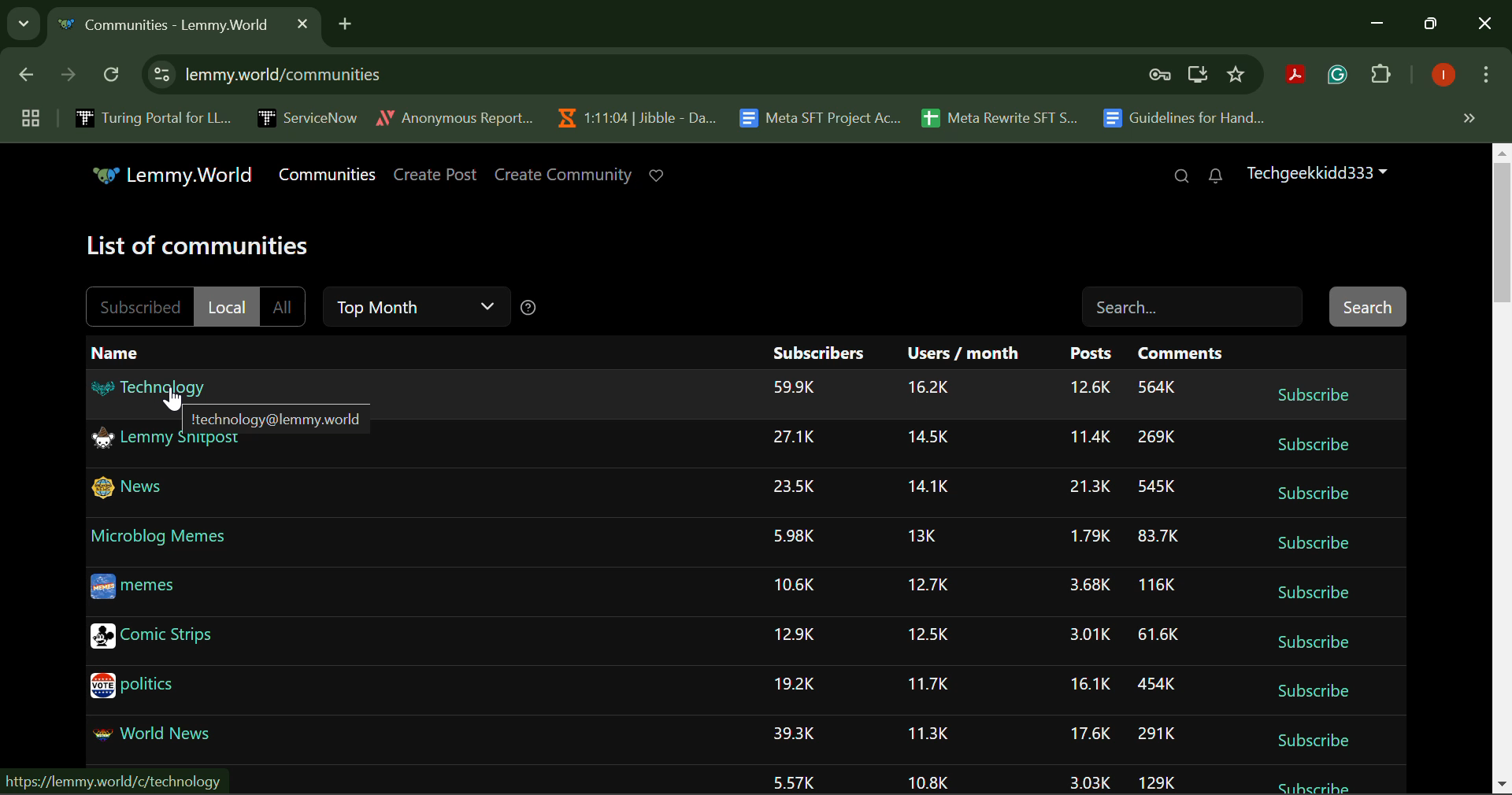  Describe the element at coordinates (1503, 469) in the screenshot. I see `Vertical Scroll Bar` at that location.